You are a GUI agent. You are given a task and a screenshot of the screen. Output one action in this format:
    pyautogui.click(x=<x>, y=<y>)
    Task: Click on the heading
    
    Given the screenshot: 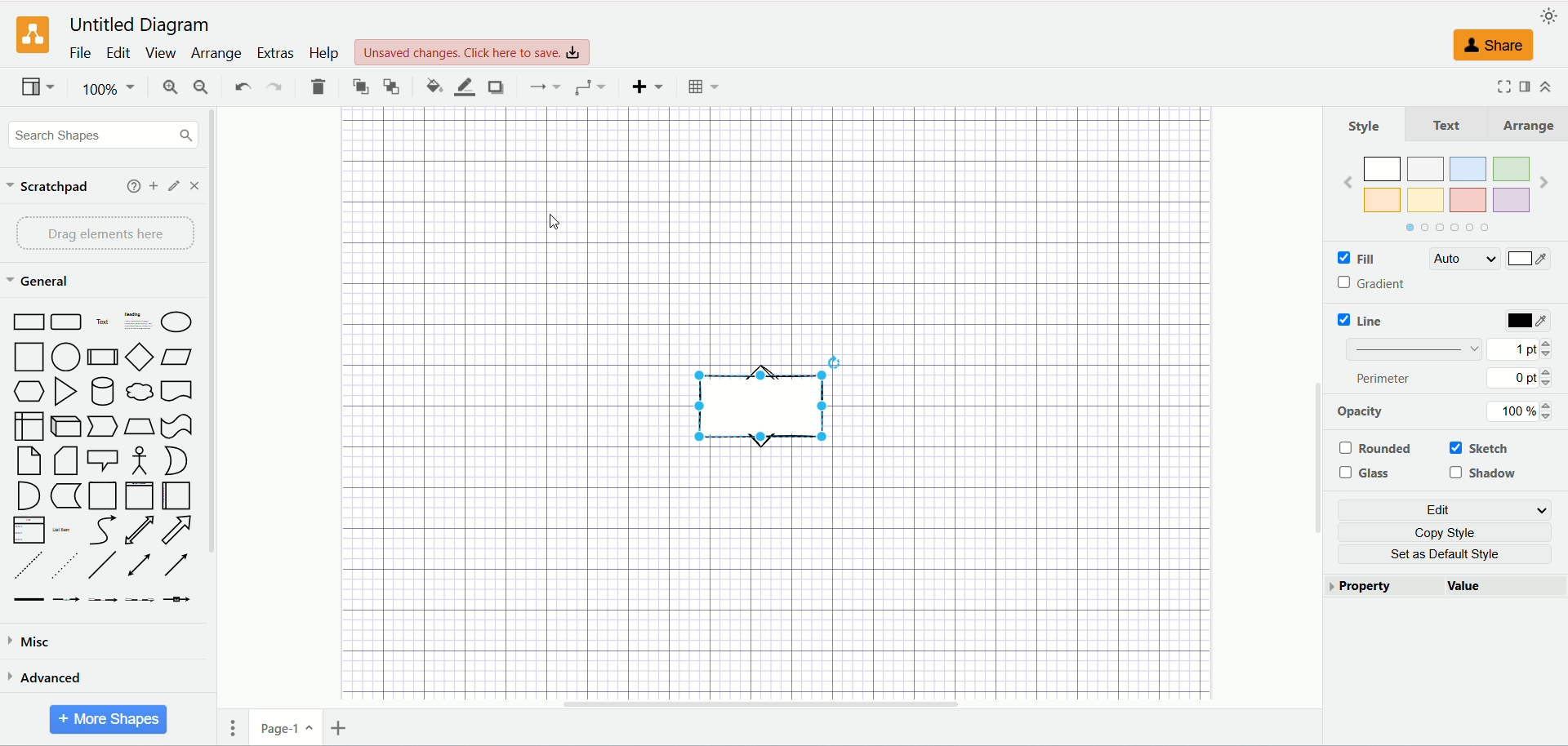 What is the action you would take?
    pyautogui.click(x=137, y=321)
    